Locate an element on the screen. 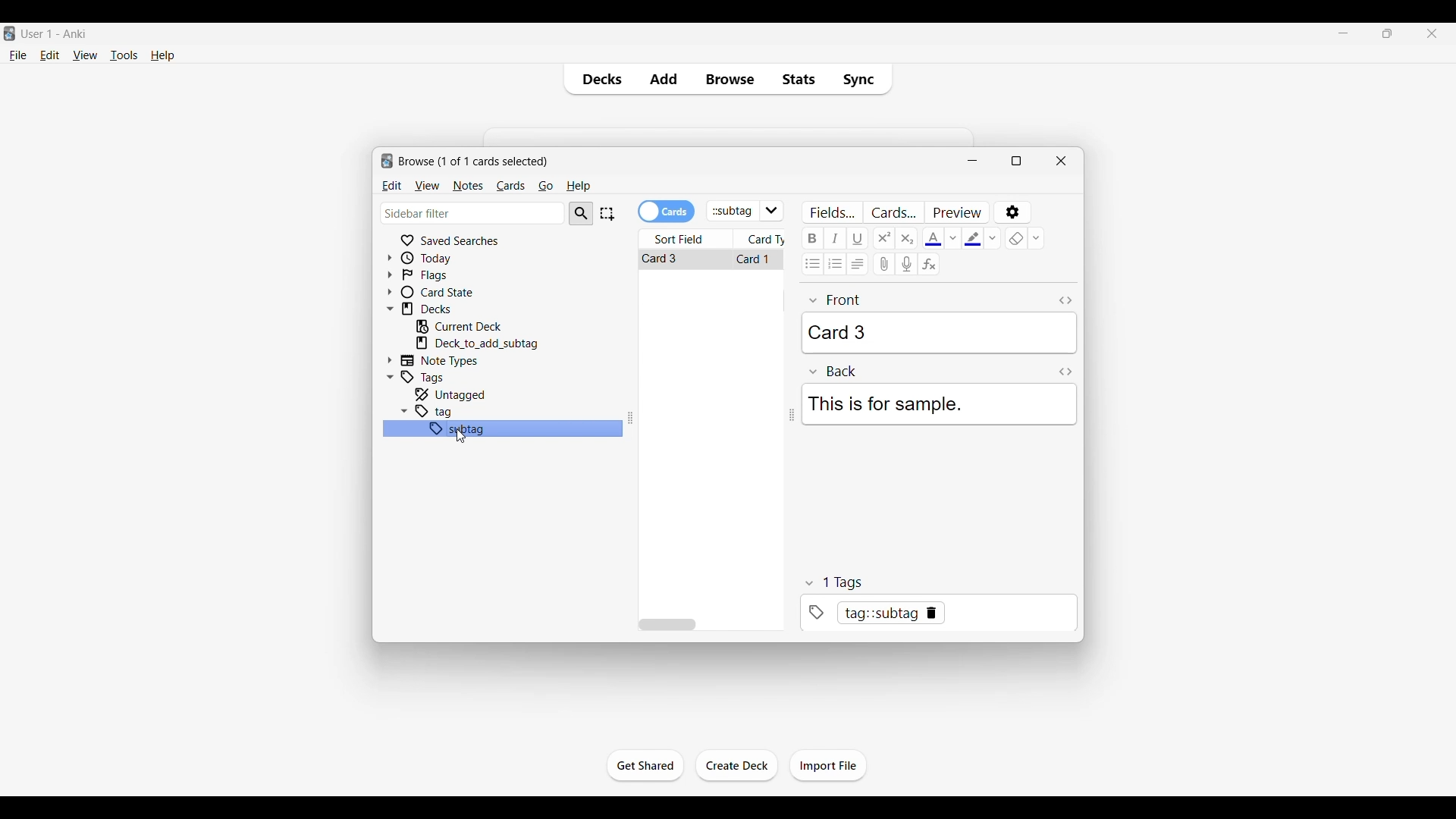  Remove formatting options is located at coordinates (1036, 238).